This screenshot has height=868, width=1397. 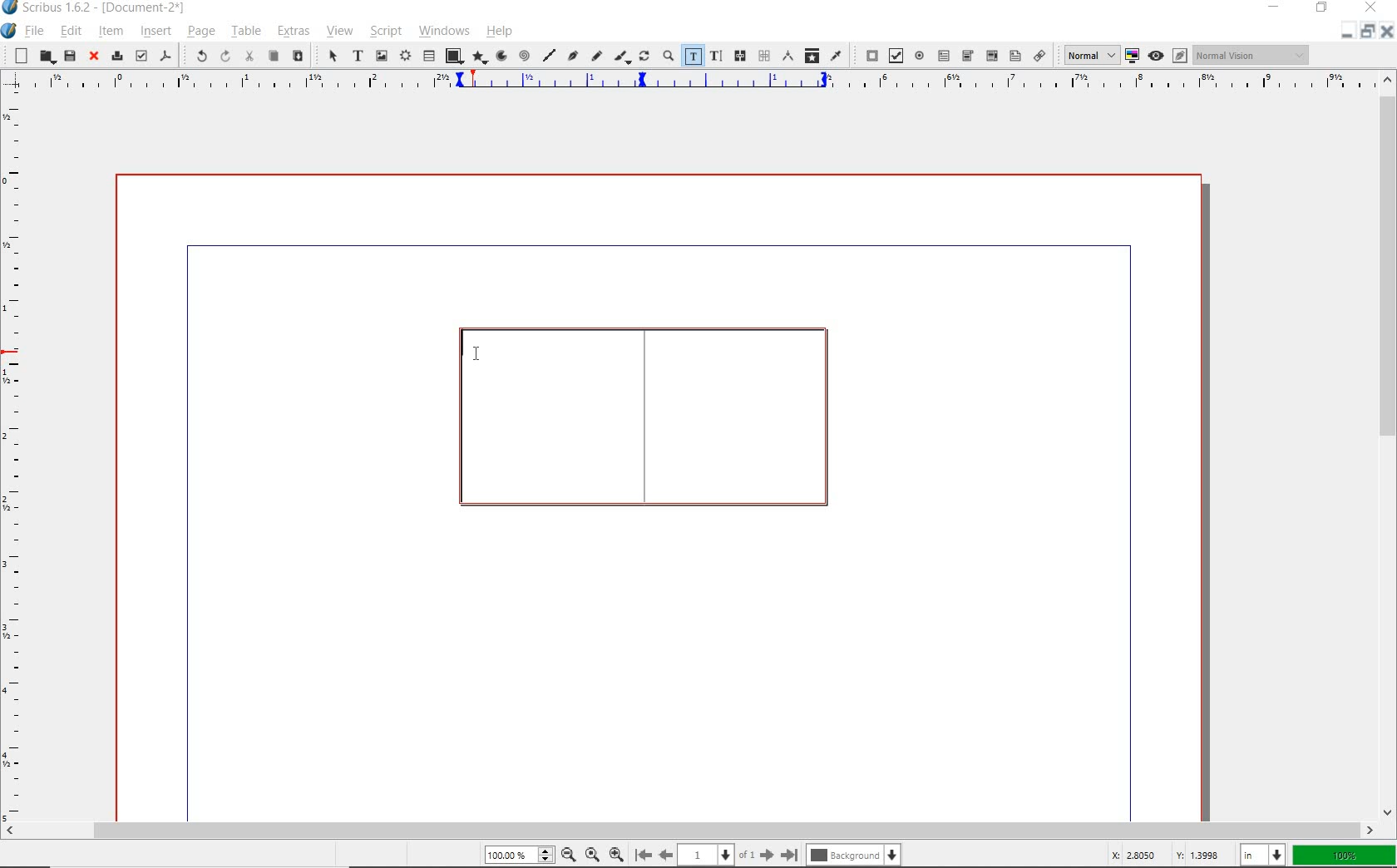 What do you see at coordinates (715, 57) in the screenshot?
I see `edit text with story editor` at bounding box center [715, 57].